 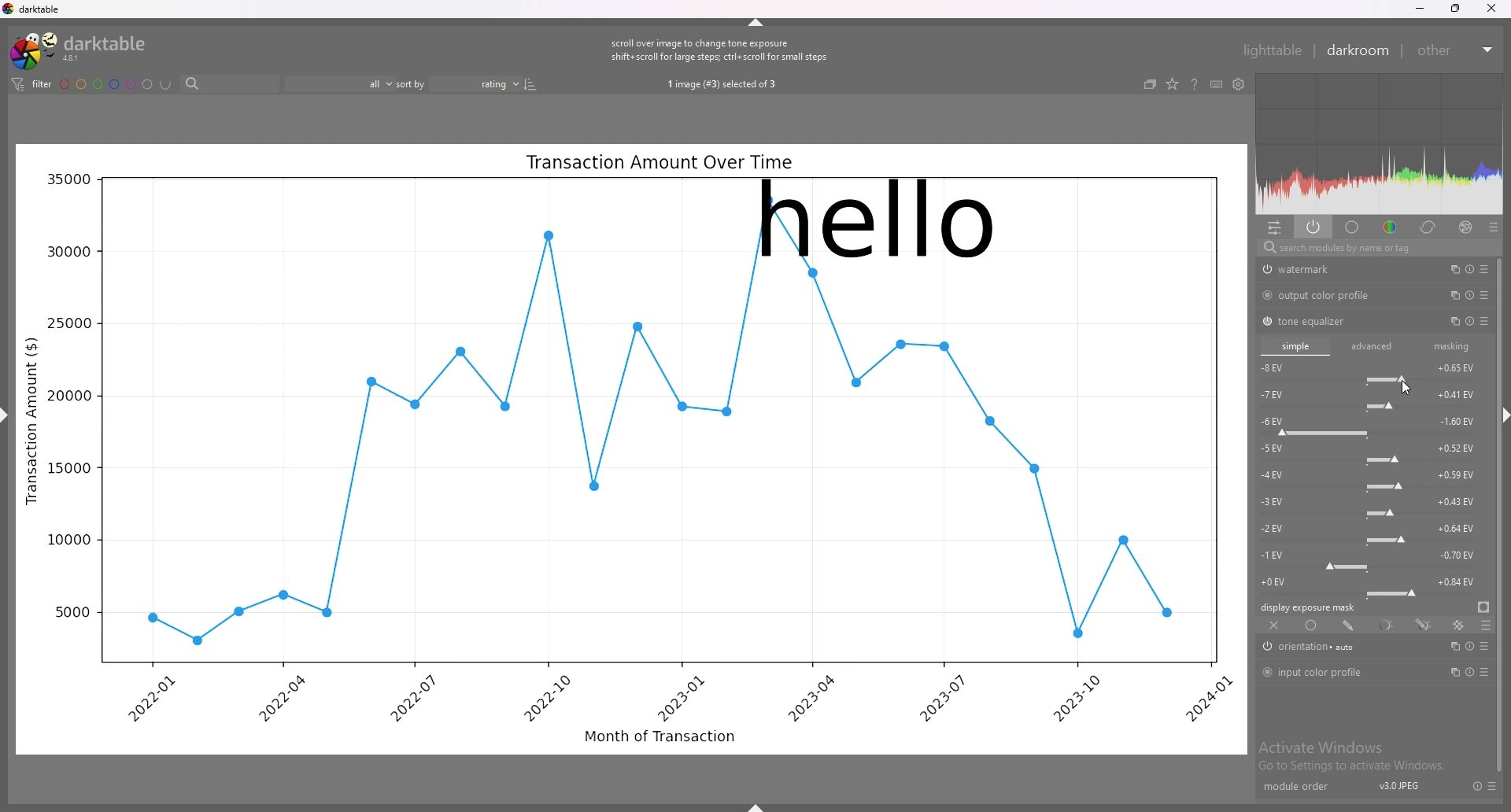 I want to click on darktable logo, so click(x=84, y=50).